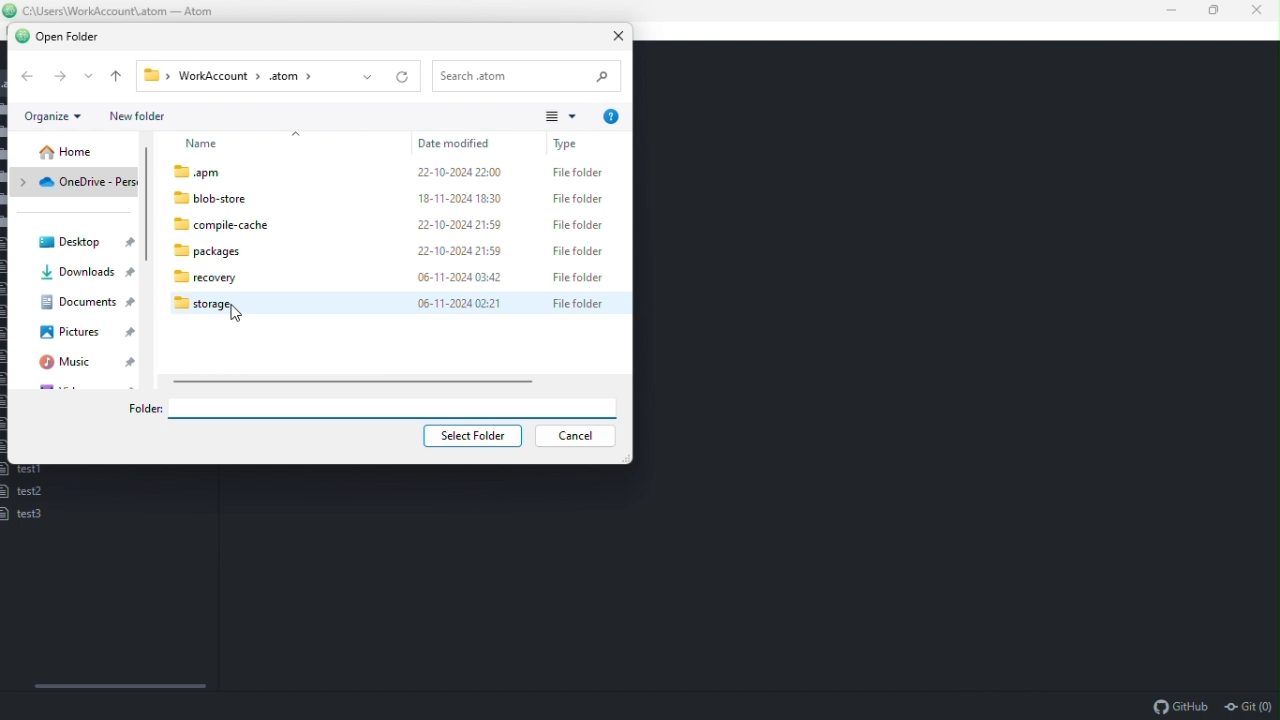 The image size is (1280, 720). I want to click on Pictures, so click(83, 335).